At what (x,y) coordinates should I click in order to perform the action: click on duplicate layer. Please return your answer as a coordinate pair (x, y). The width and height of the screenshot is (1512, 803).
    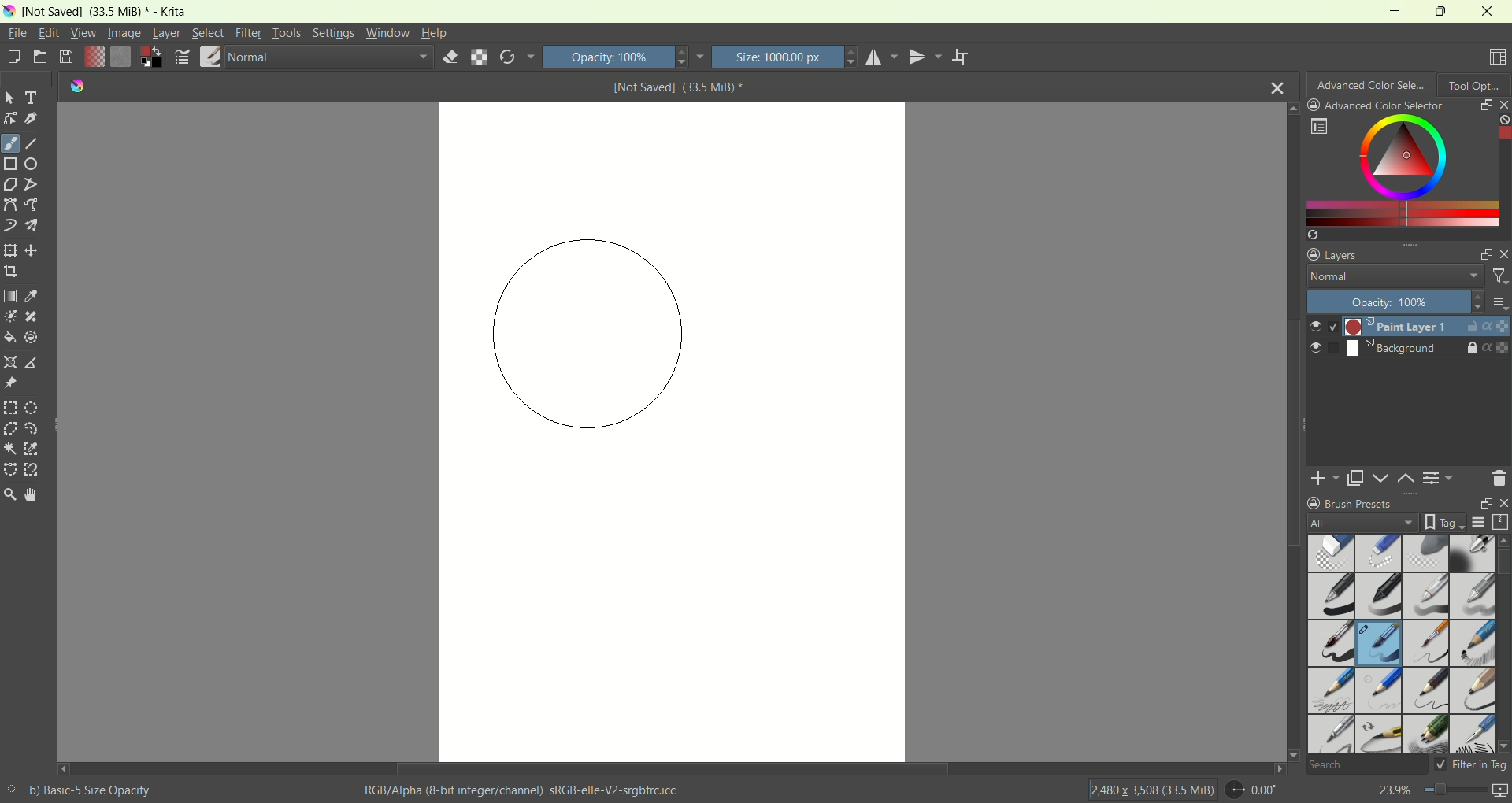
    Looking at the image, I should click on (1357, 478).